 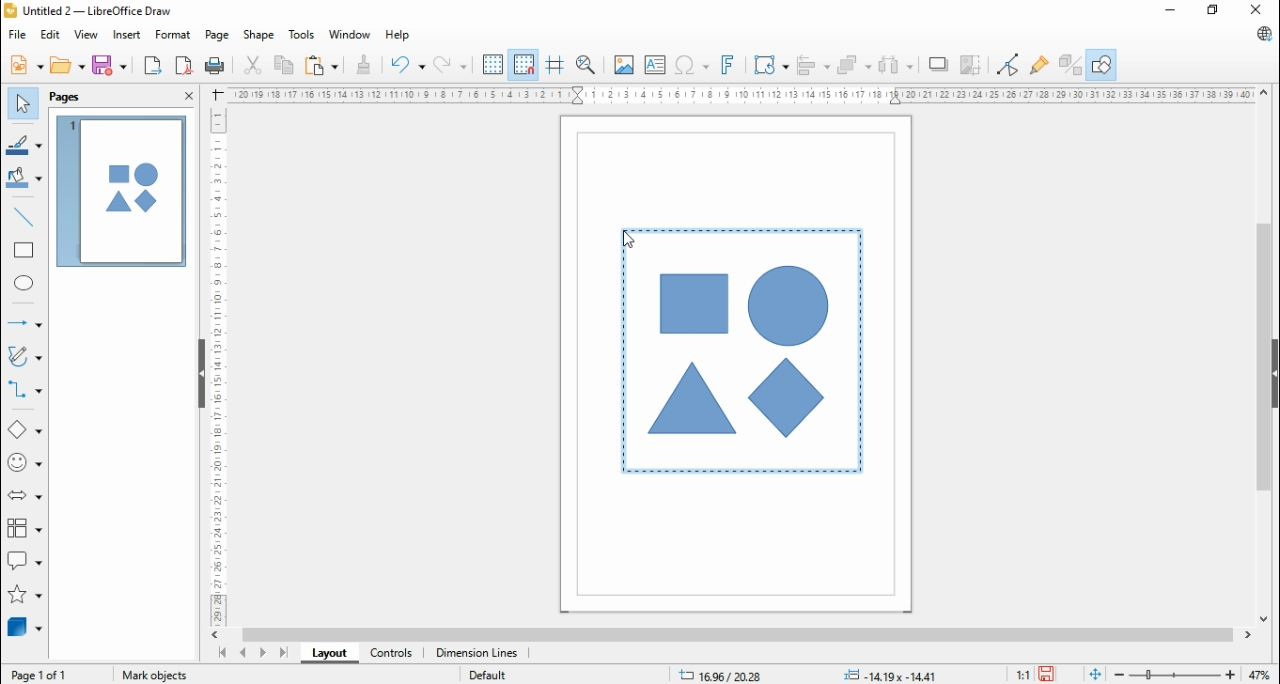 I want to click on insert fontwork text, so click(x=729, y=64).